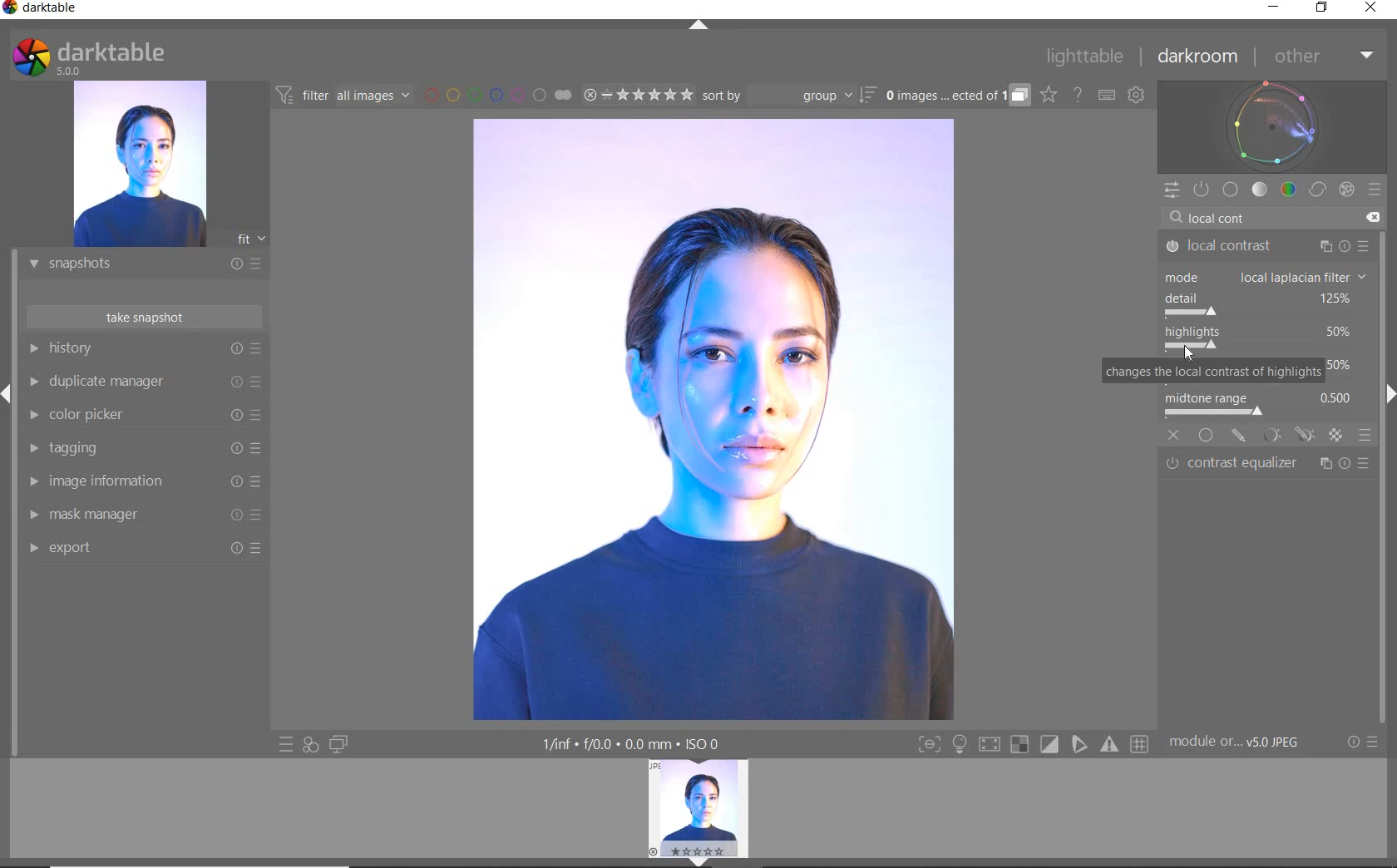 The height and width of the screenshot is (868, 1397). Describe the element at coordinates (787, 95) in the screenshot. I see `SORT` at that location.